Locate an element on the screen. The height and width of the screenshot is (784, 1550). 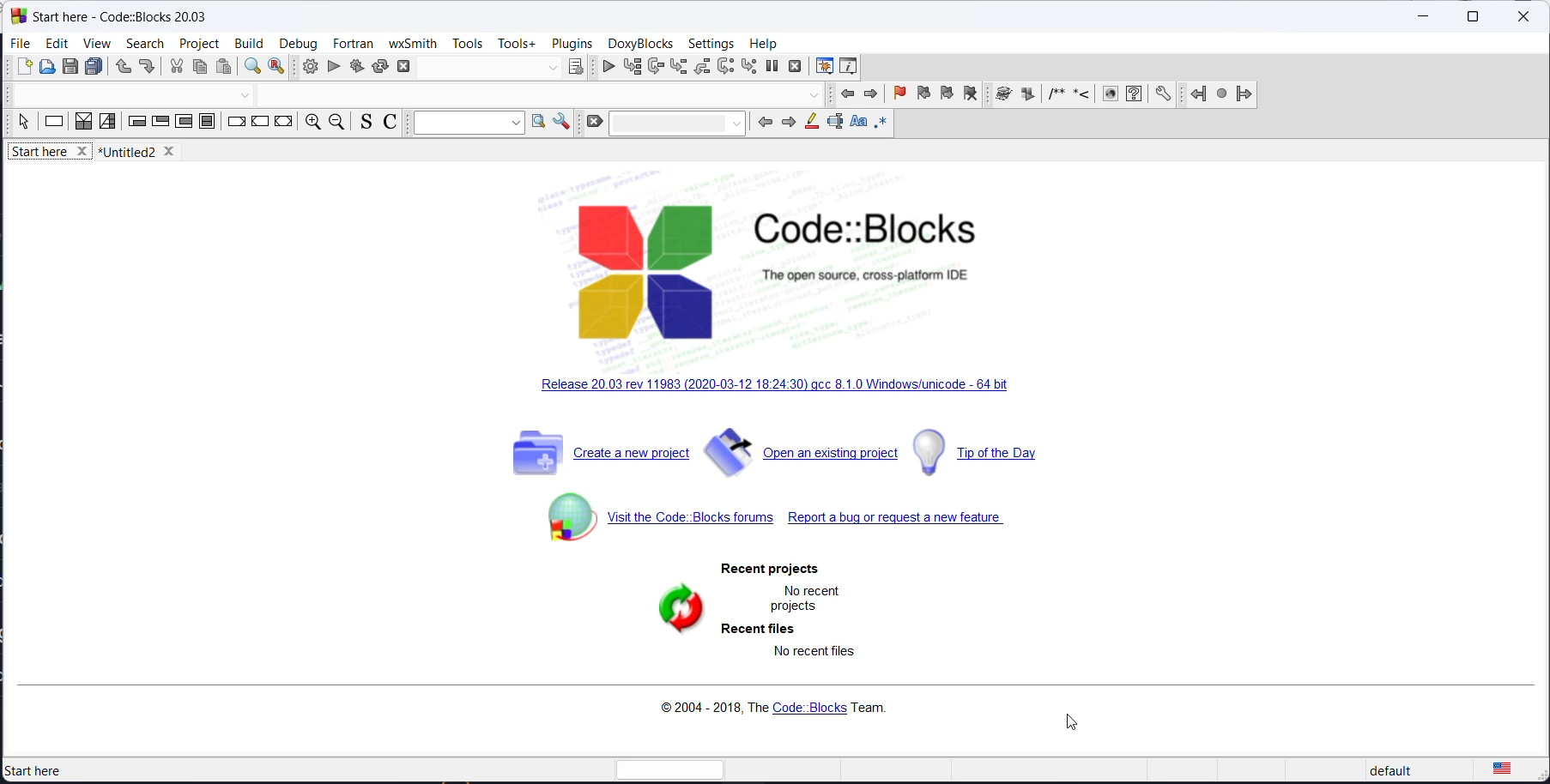
replace is located at coordinates (277, 69).